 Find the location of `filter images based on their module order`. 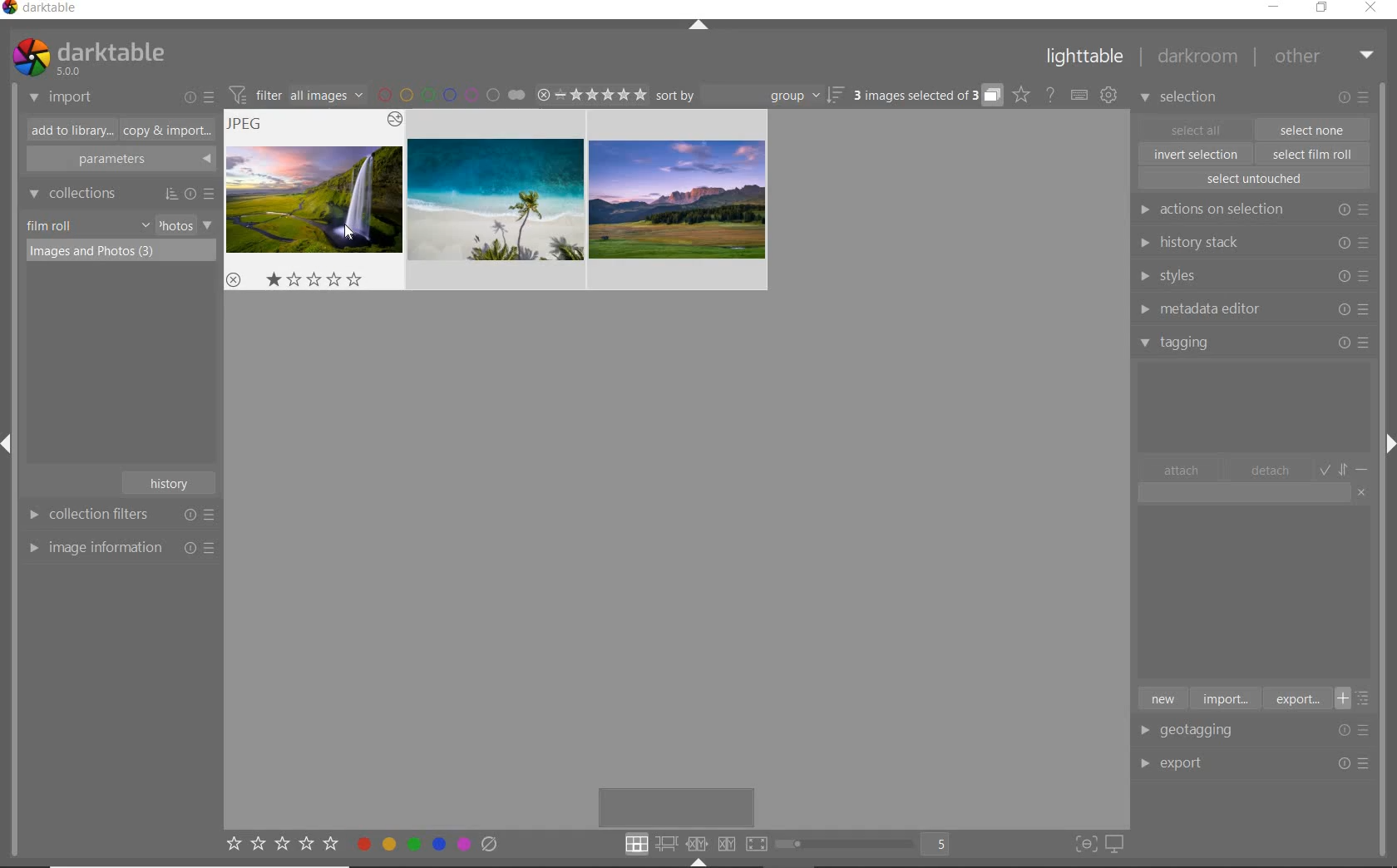

filter images based on their module order is located at coordinates (294, 93).